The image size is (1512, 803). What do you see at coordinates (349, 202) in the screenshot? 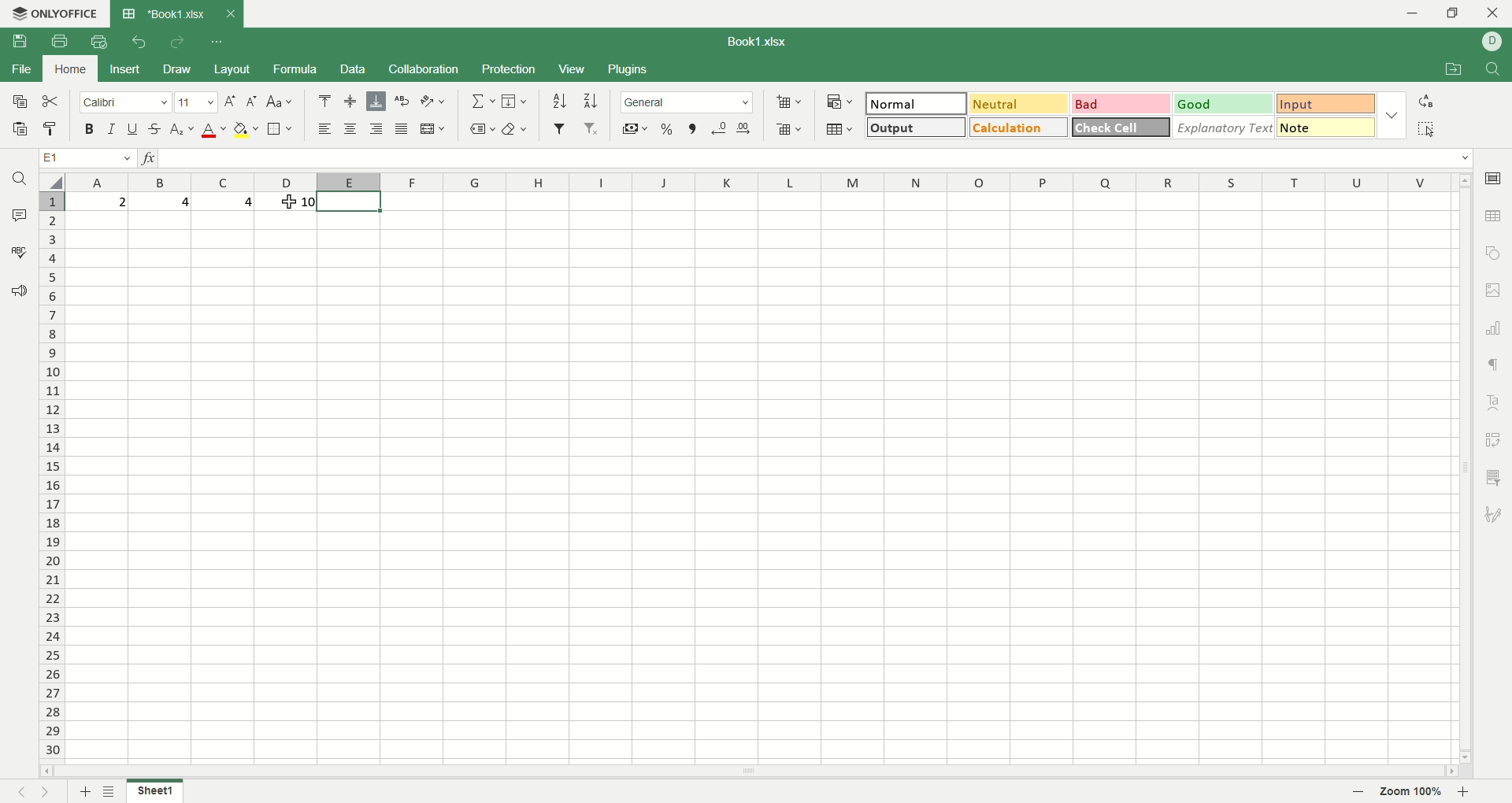
I see `cell selected` at bounding box center [349, 202].